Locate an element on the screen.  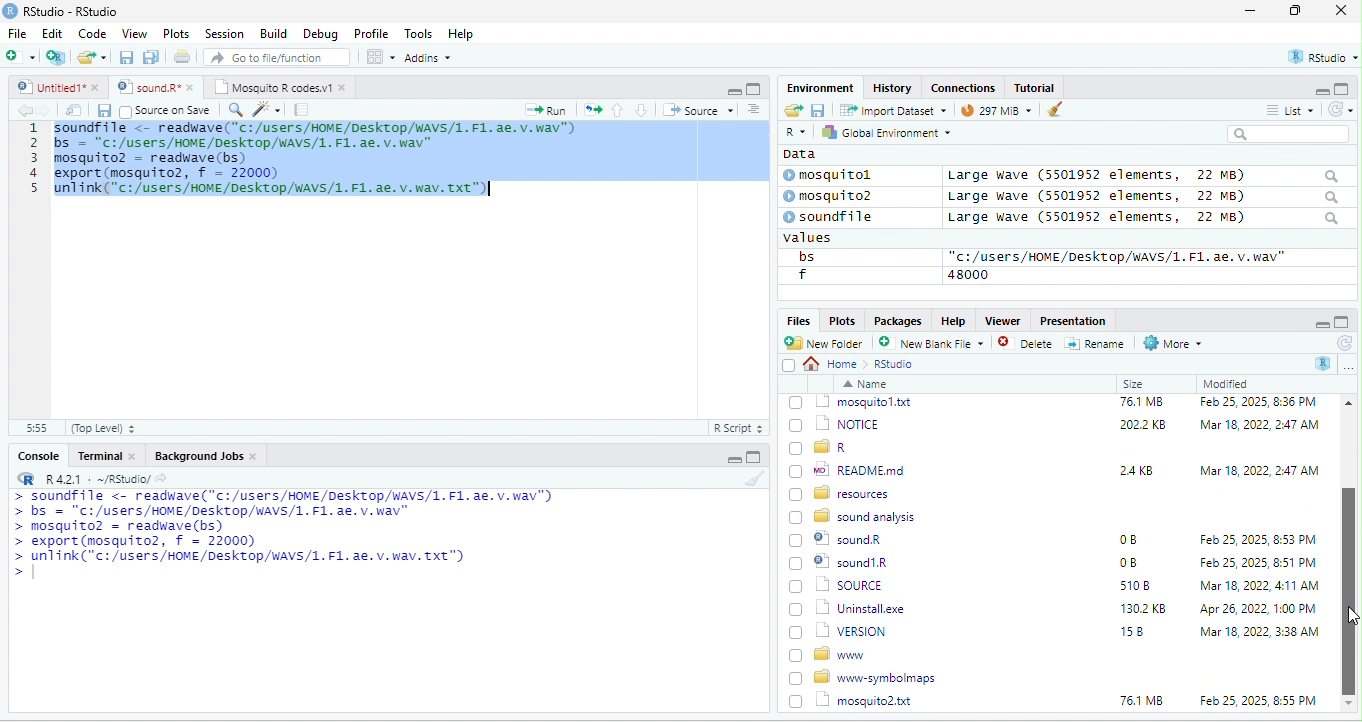
Ld bin is located at coordinates (825, 450).